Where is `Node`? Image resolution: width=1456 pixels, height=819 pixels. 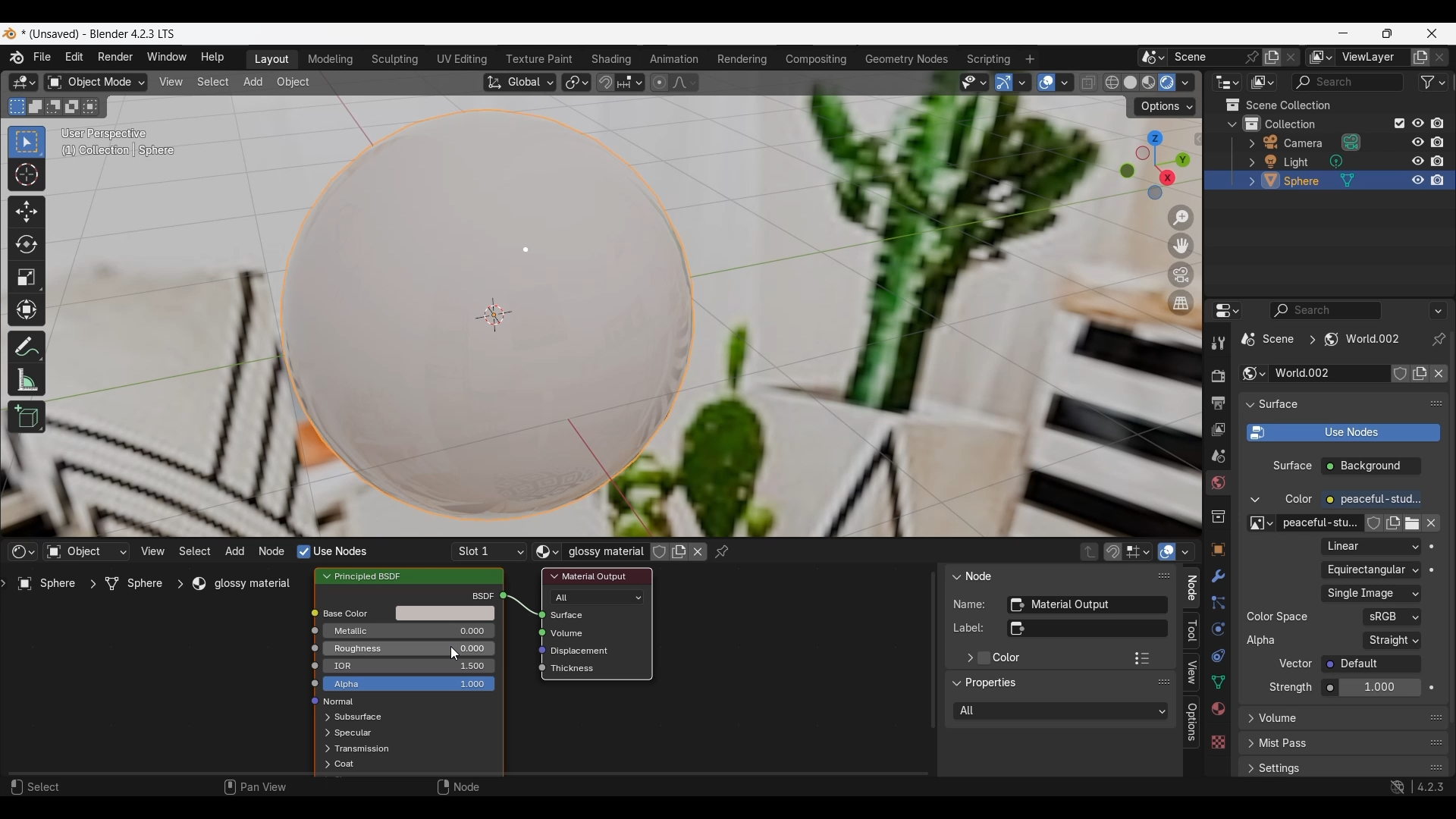
Node is located at coordinates (458, 787).